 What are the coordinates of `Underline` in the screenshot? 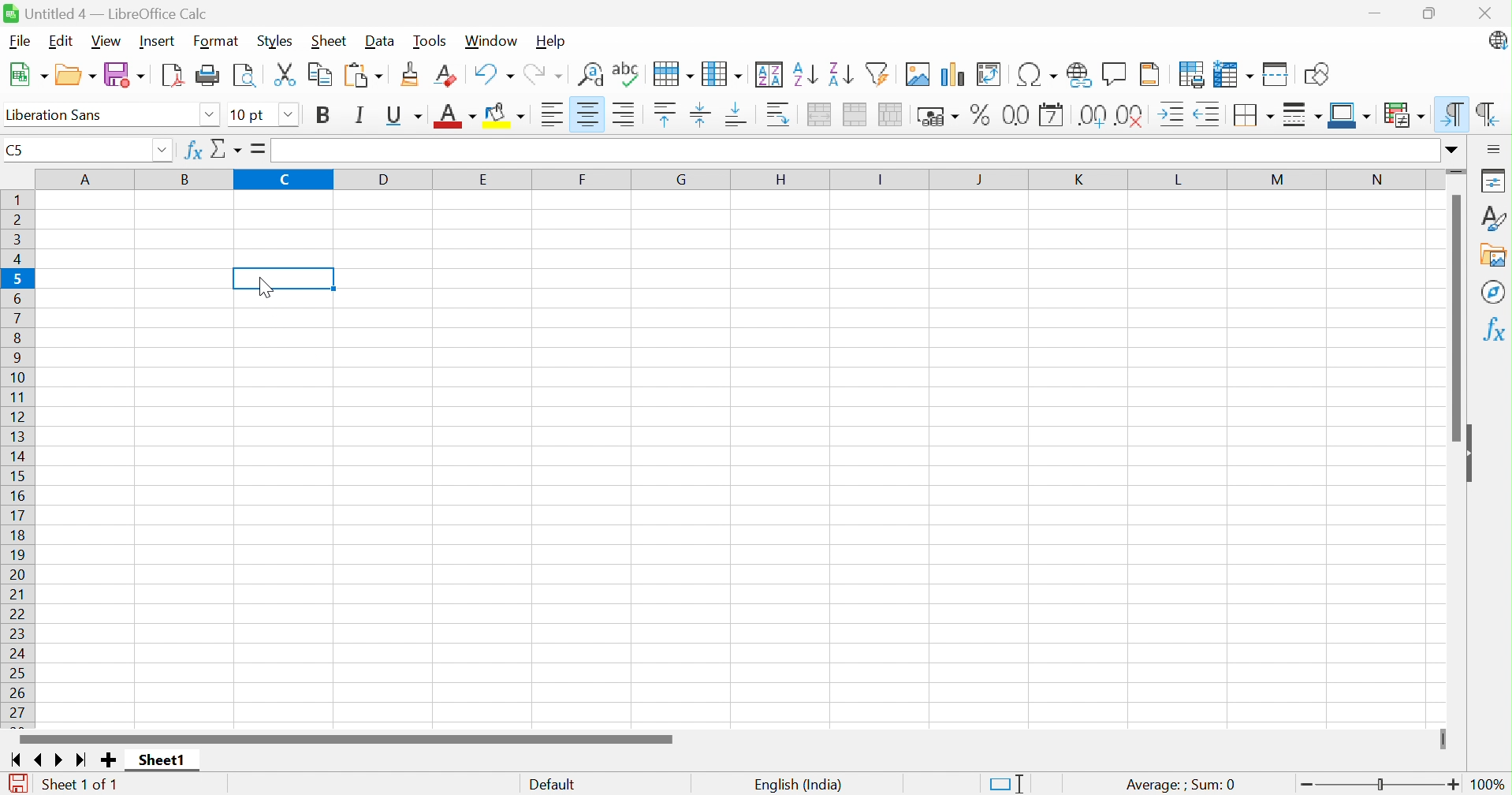 It's located at (403, 115).